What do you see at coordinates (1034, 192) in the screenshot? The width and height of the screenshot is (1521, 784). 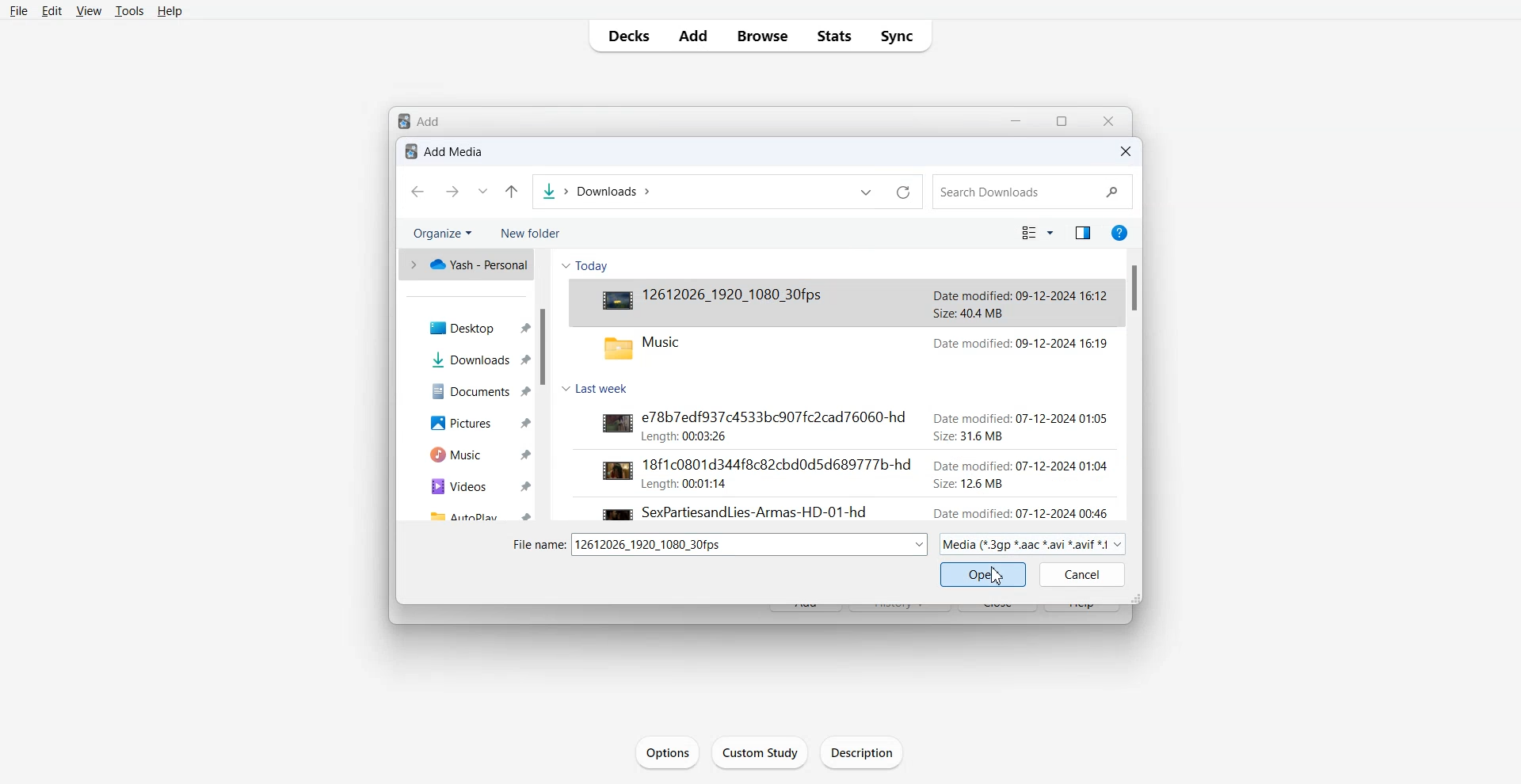 I see `Search Bar` at bounding box center [1034, 192].